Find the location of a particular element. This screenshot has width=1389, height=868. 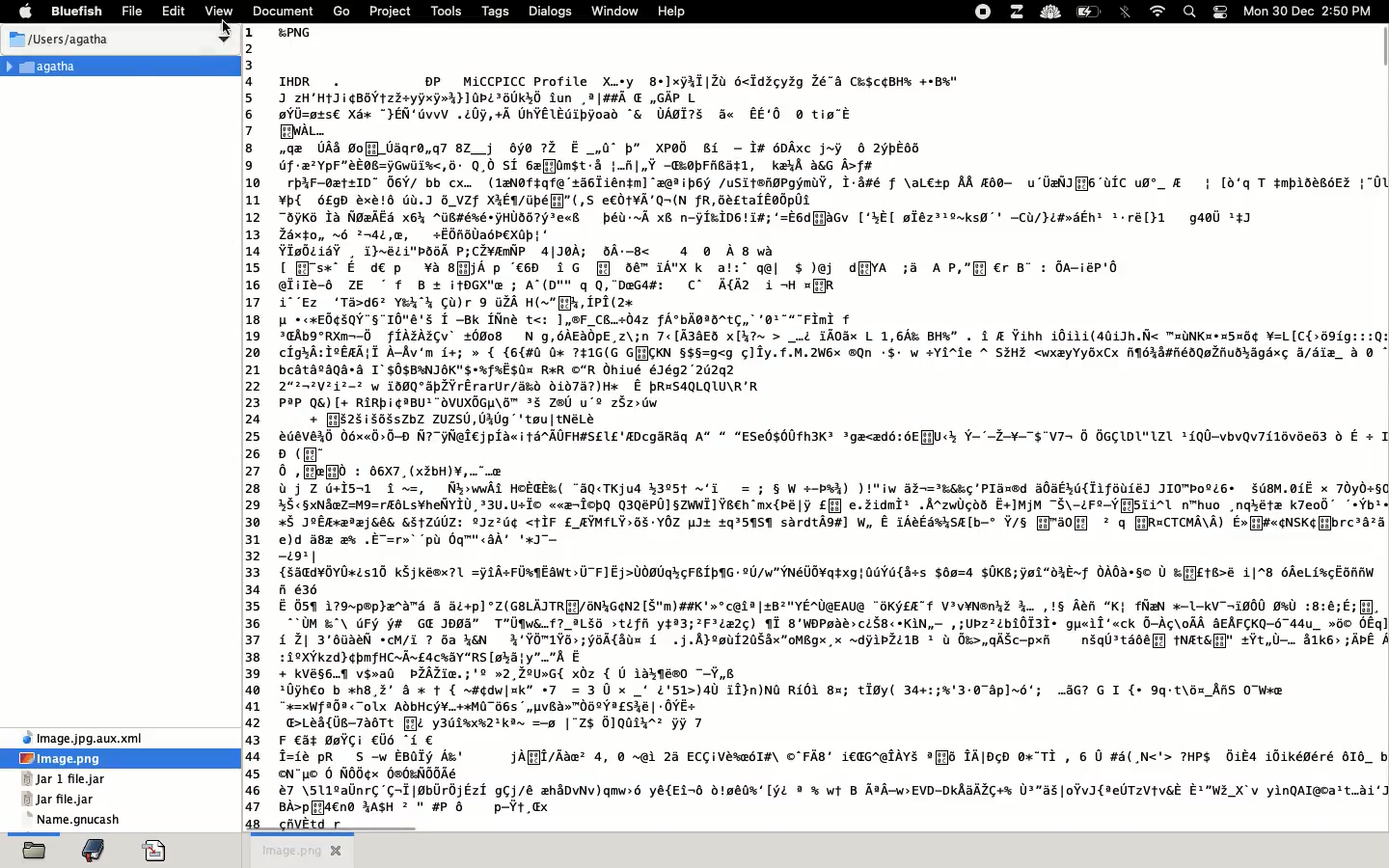

help is located at coordinates (673, 12).